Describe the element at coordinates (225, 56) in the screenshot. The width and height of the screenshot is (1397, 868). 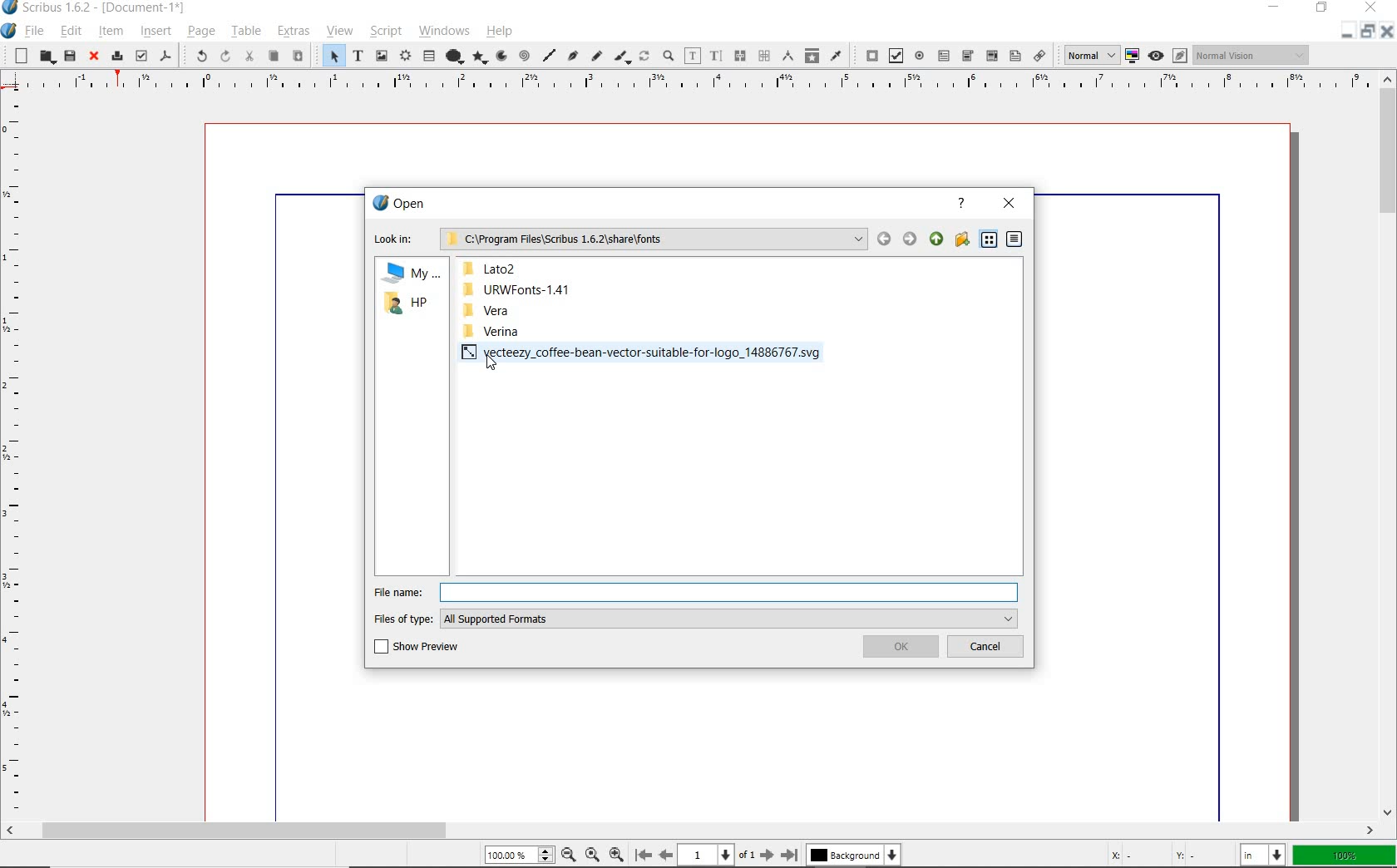
I see `redo` at that location.